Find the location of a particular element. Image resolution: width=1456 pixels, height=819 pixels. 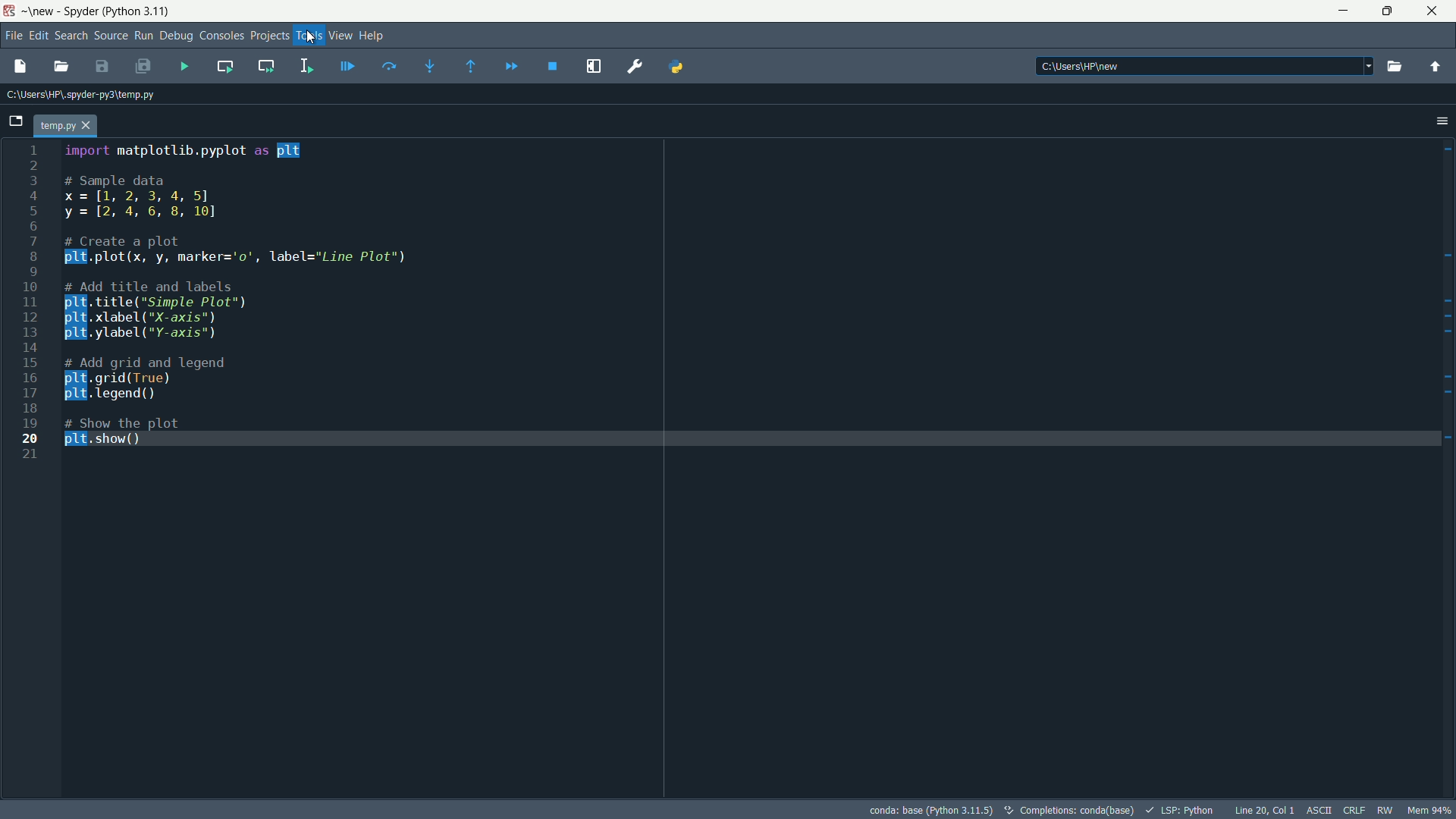

edit is located at coordinates (39, 35).